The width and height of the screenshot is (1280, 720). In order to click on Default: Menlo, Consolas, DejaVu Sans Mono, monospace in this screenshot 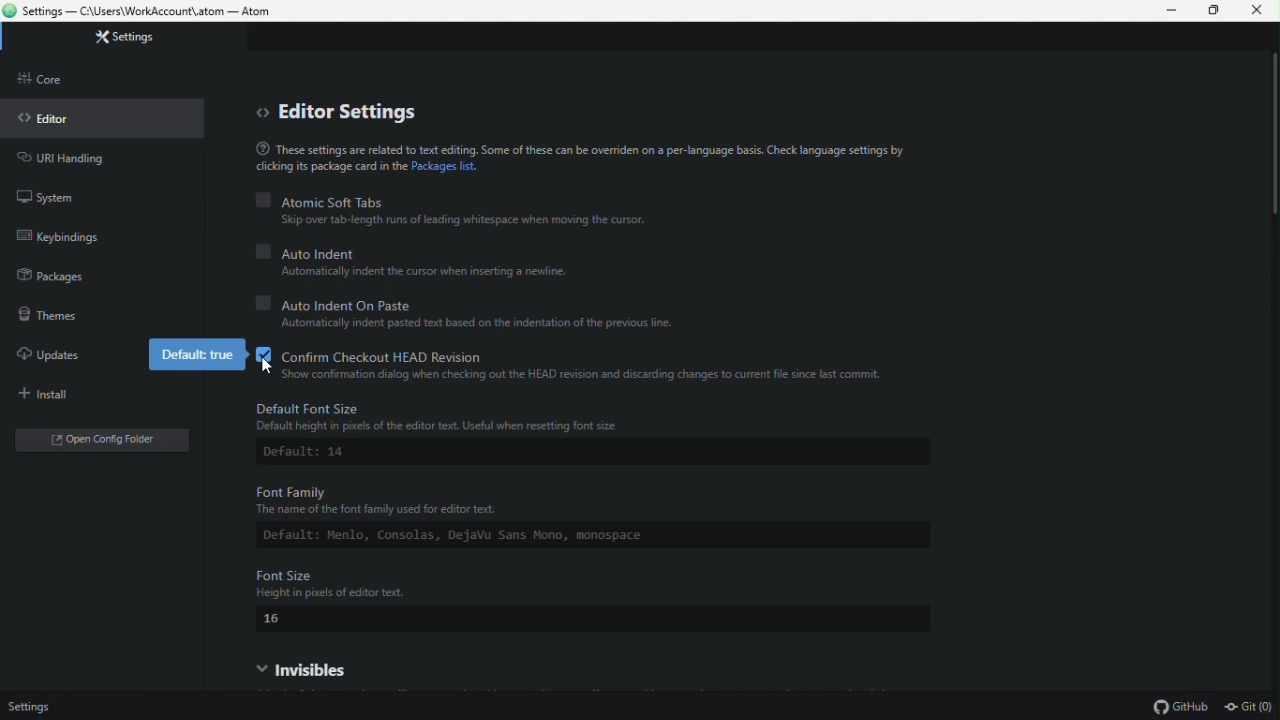, I will do `click(484, 535)`.